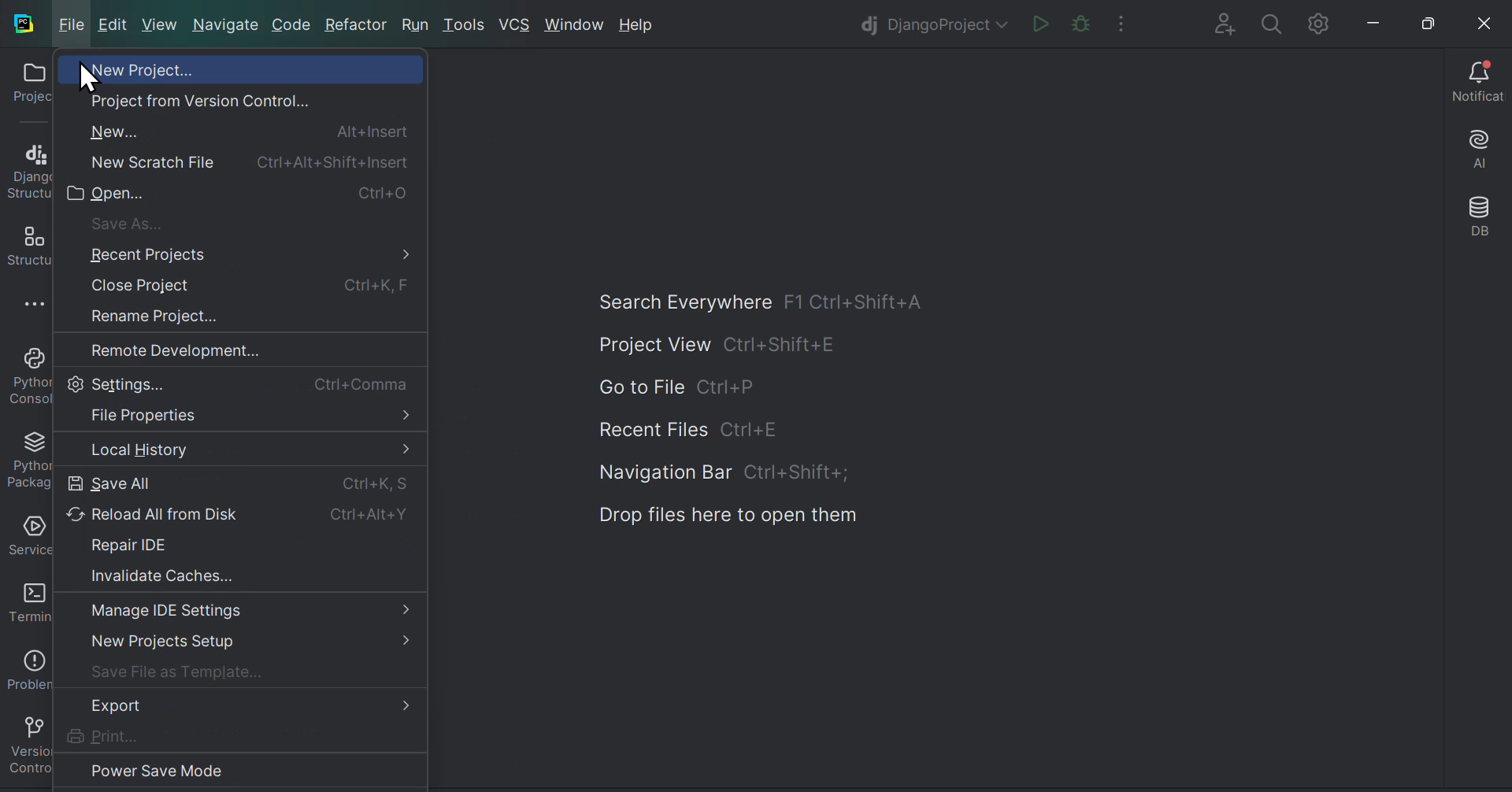 This screenshot has width=1512, height=792. What do you see at coordinates (204, 577) in the screenshot?
I see `Invalidate cashes` at bounding box center [204, 577].